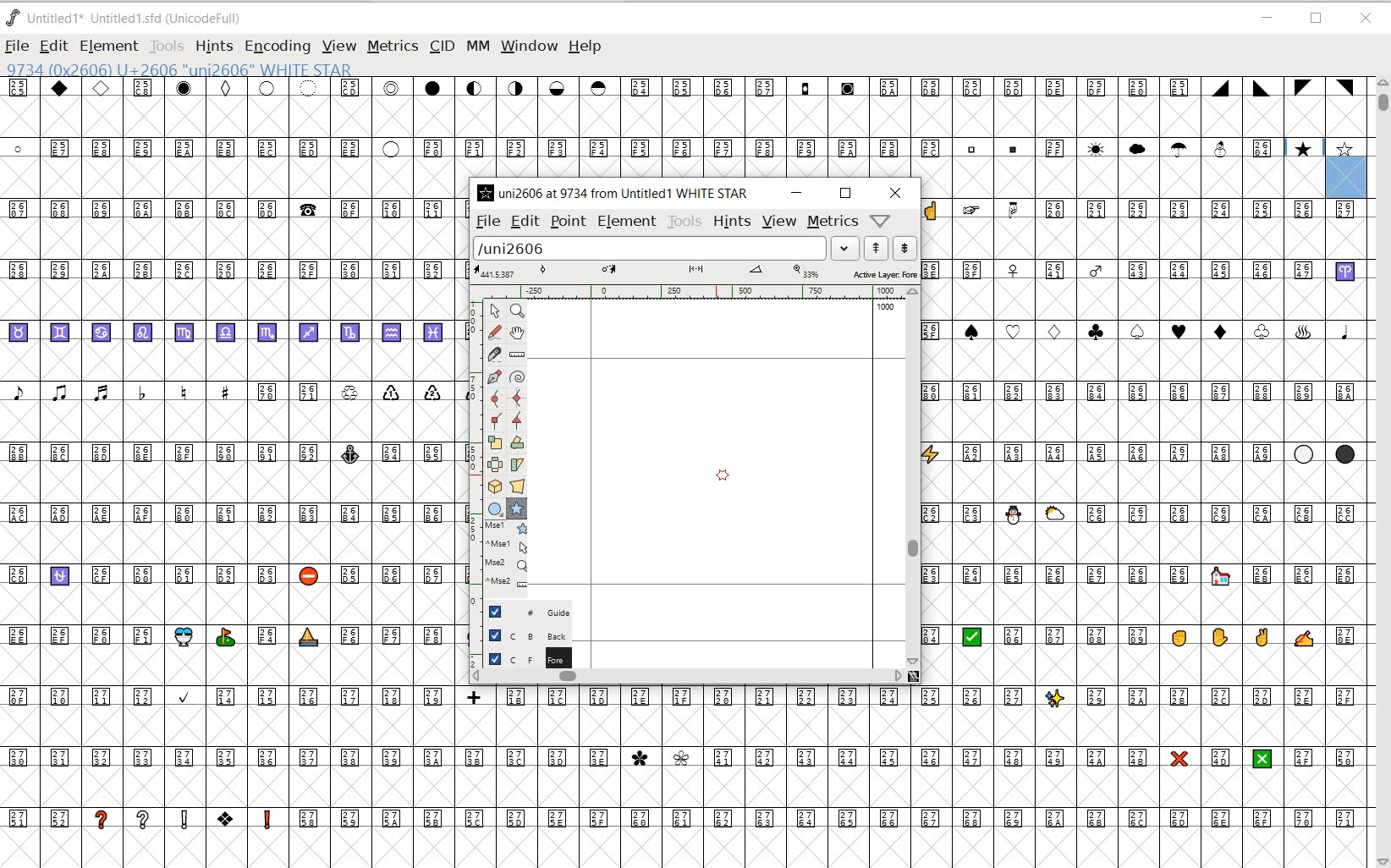 Image resolution: width=1391 pixels, height=868 pixels. Describe the element at coordinates (442, 47) in the screenshot. I see `CID` at that location.